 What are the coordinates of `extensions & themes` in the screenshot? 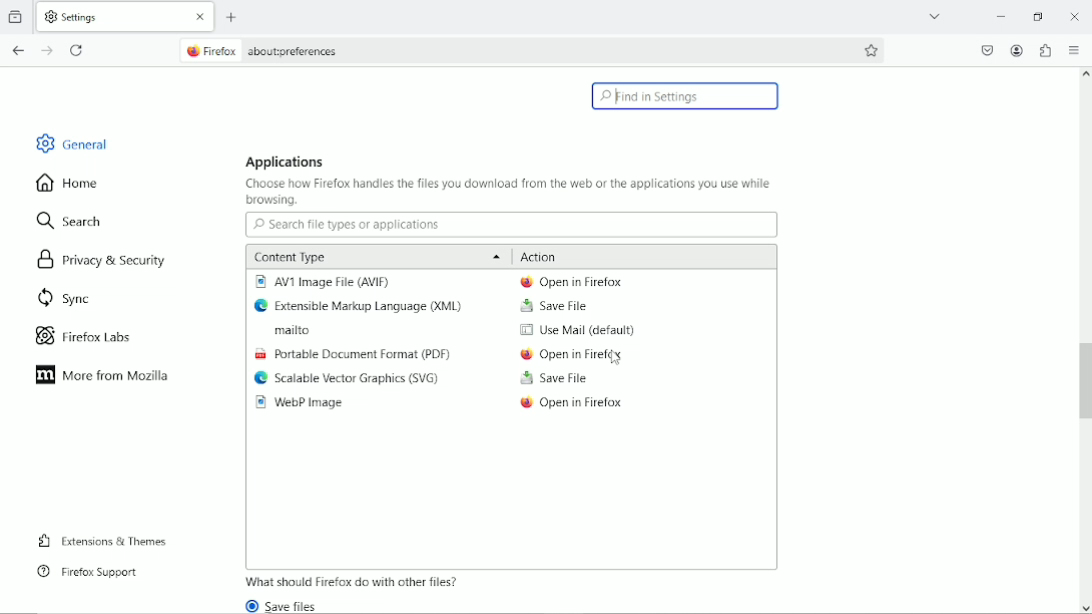 It's located at (102, 542).